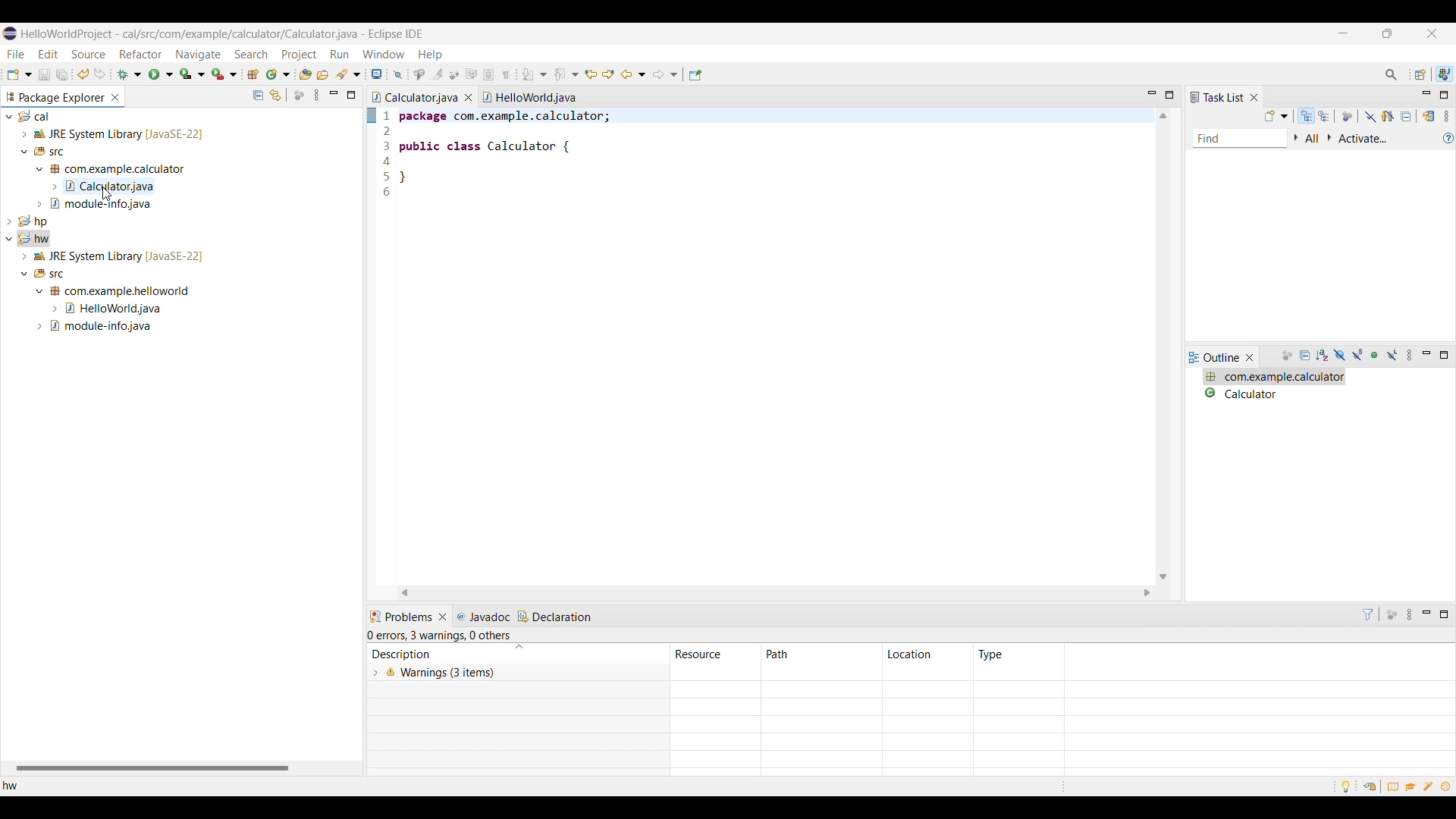  What do you see at coordinates (400, 617) in the screenshot?
I see `Problems tab` at bounding box center [400, 617].